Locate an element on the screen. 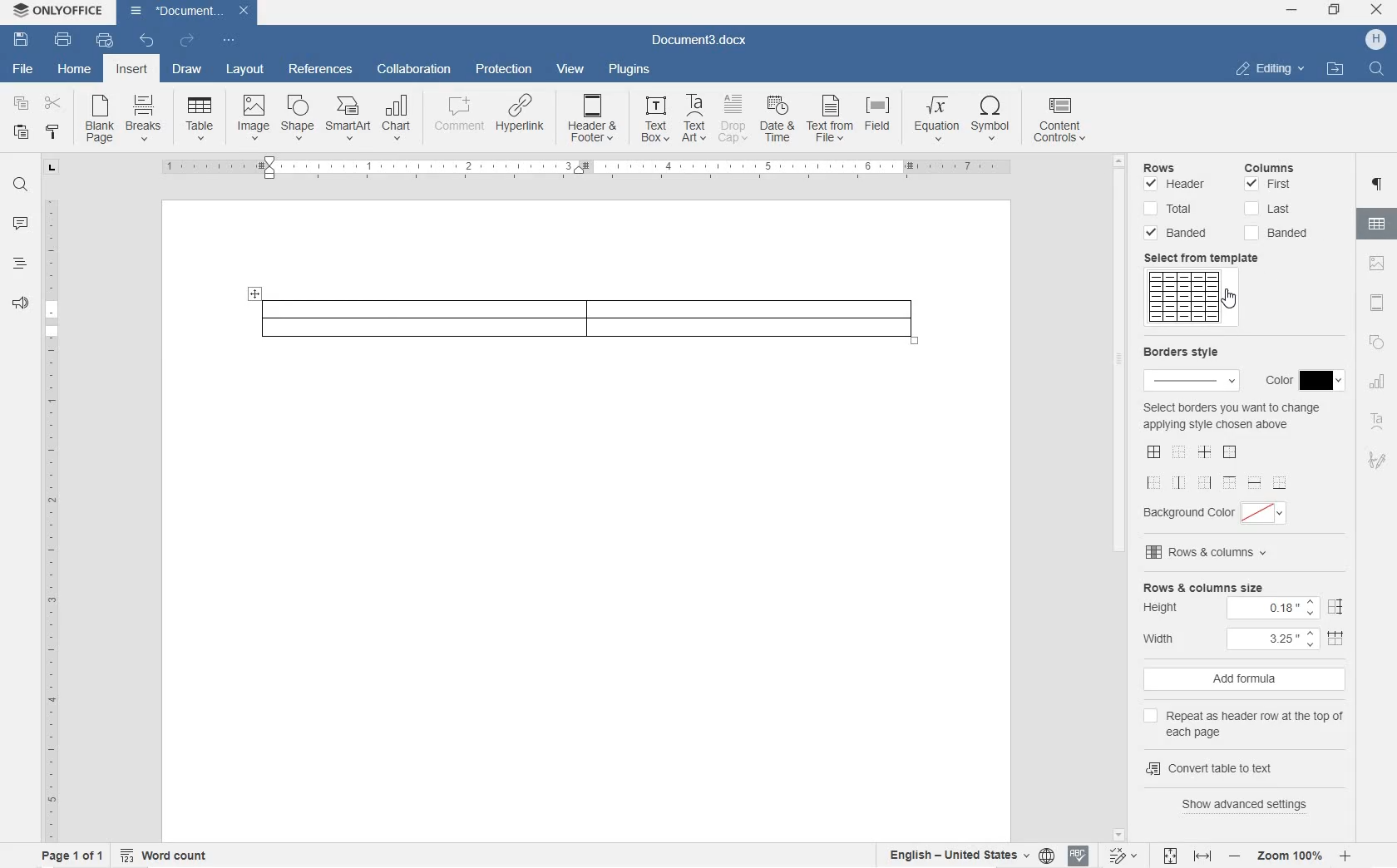 This screenshot has height=868, width=1397. PASTE is located at coordinates (25, 133).